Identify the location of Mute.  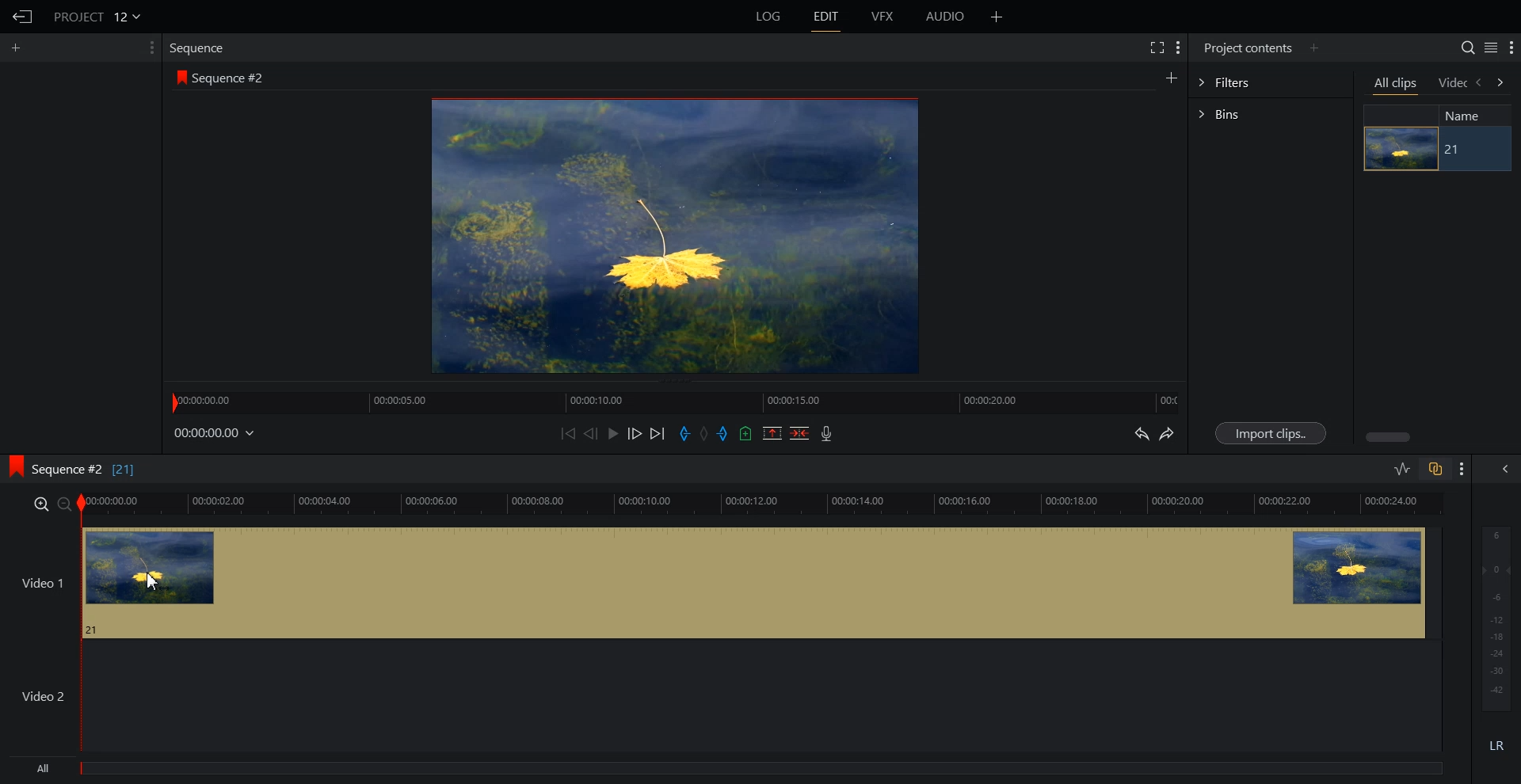
(1497, 745).